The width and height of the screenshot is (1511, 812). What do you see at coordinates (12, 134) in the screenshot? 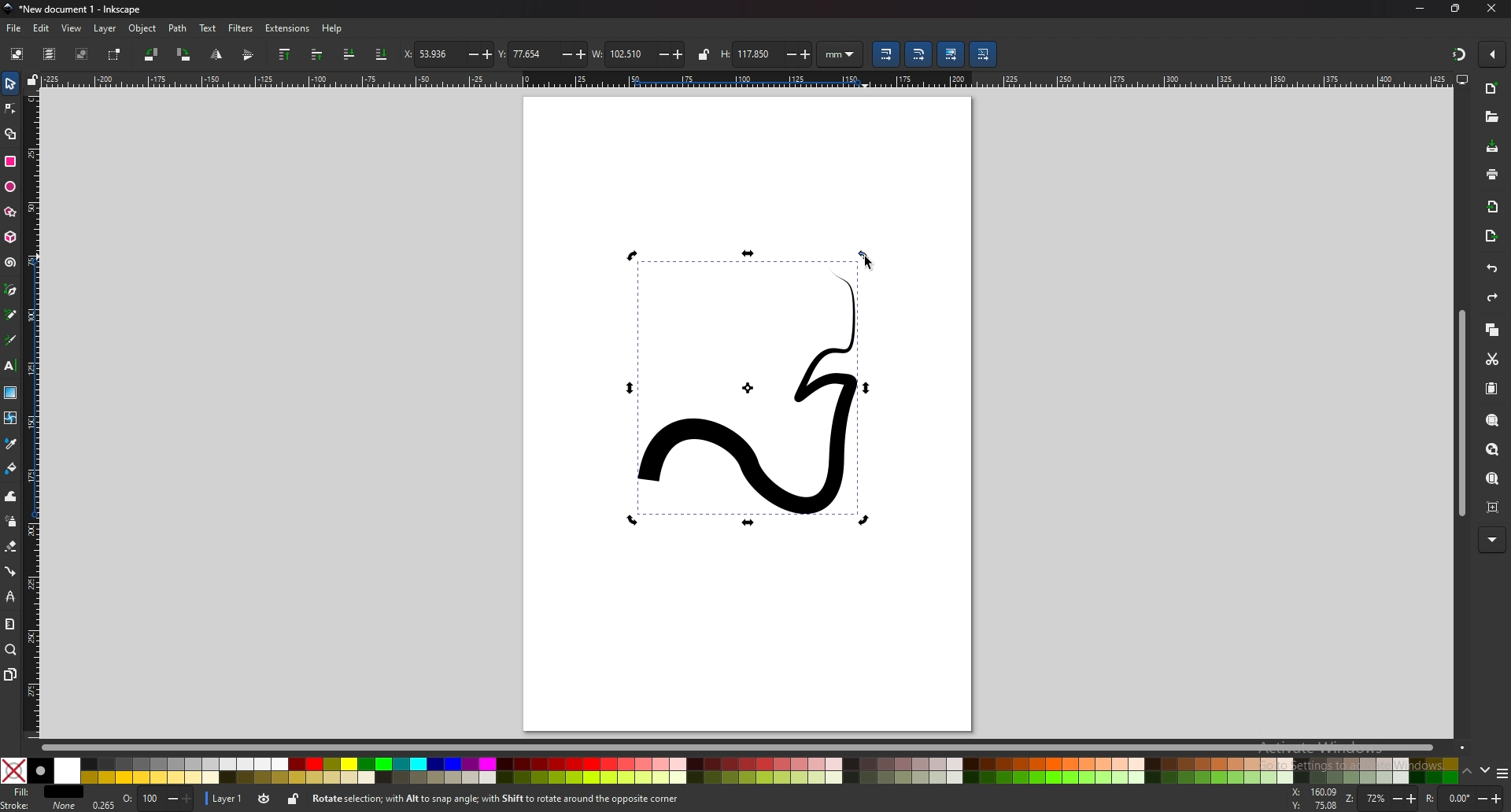
I see `shape builder` at bounding box center [12, 134].